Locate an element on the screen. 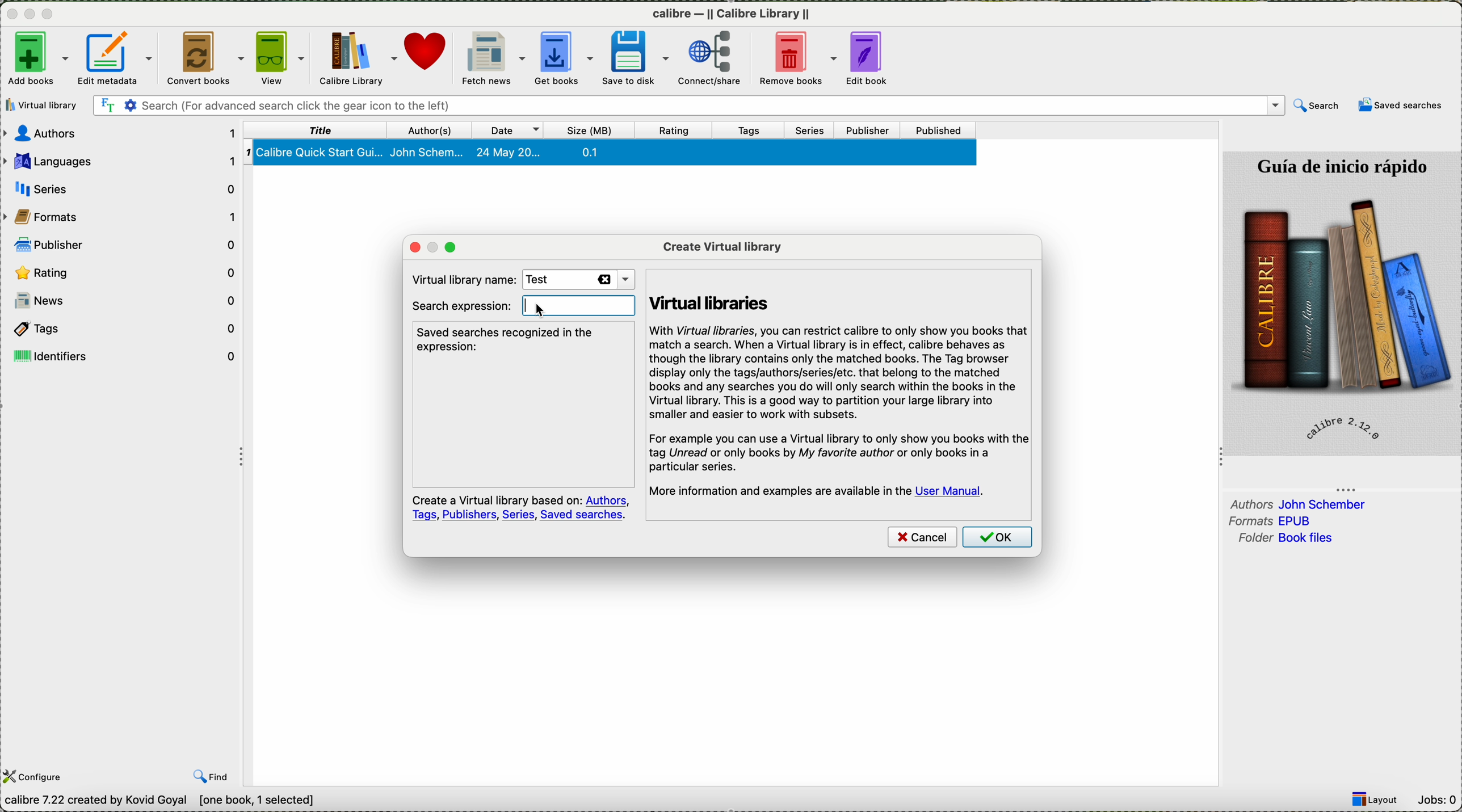 This screenshot has width=1462, height=812. minimize is located at coordinates (30, 18).